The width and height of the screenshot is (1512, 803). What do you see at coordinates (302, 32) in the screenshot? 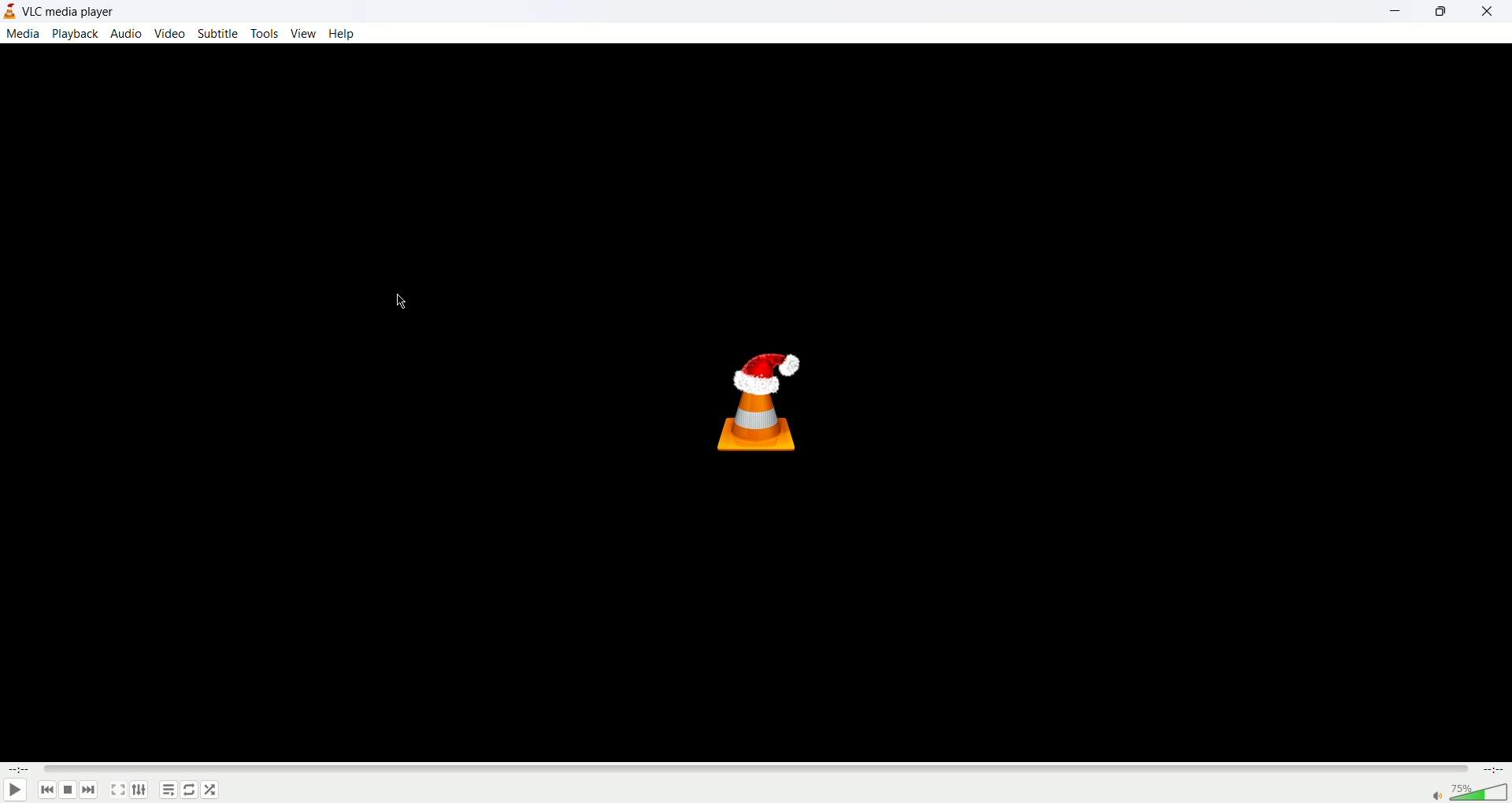
I see `view` at bounding box center [302, 32].